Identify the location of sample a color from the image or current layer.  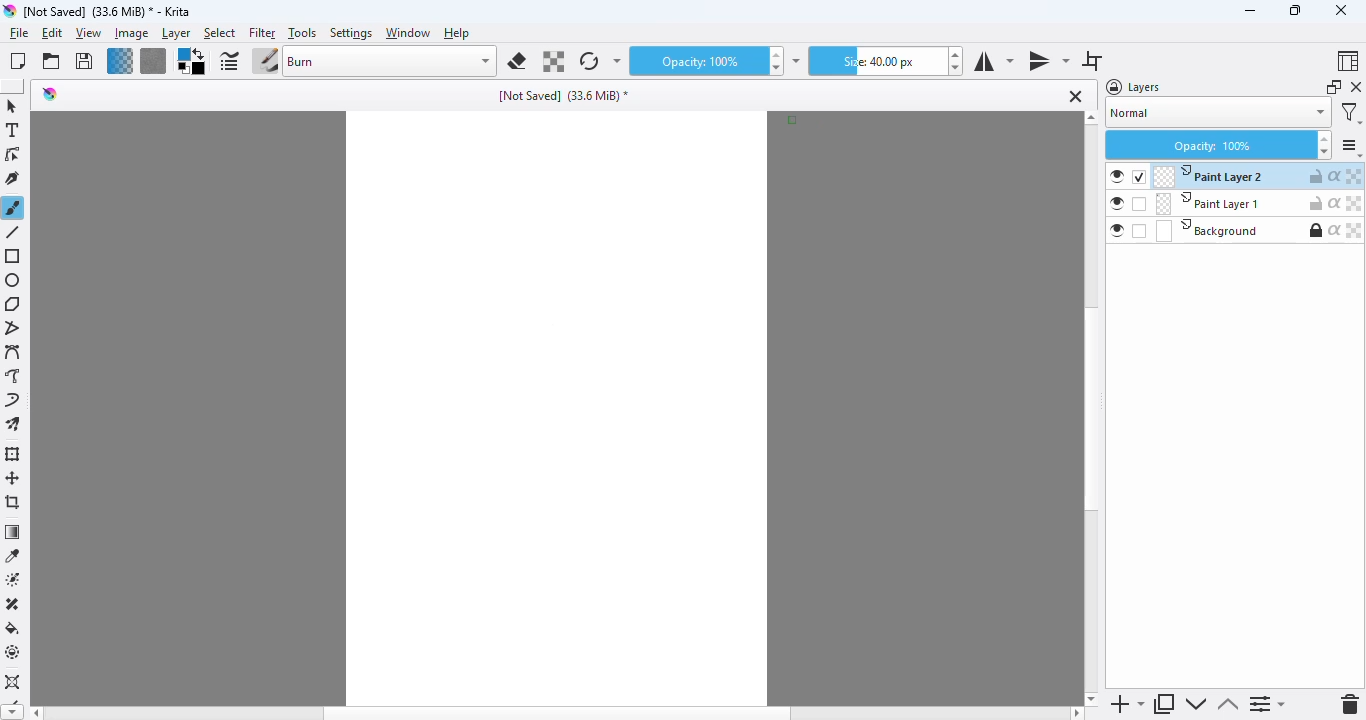
(13, 555).